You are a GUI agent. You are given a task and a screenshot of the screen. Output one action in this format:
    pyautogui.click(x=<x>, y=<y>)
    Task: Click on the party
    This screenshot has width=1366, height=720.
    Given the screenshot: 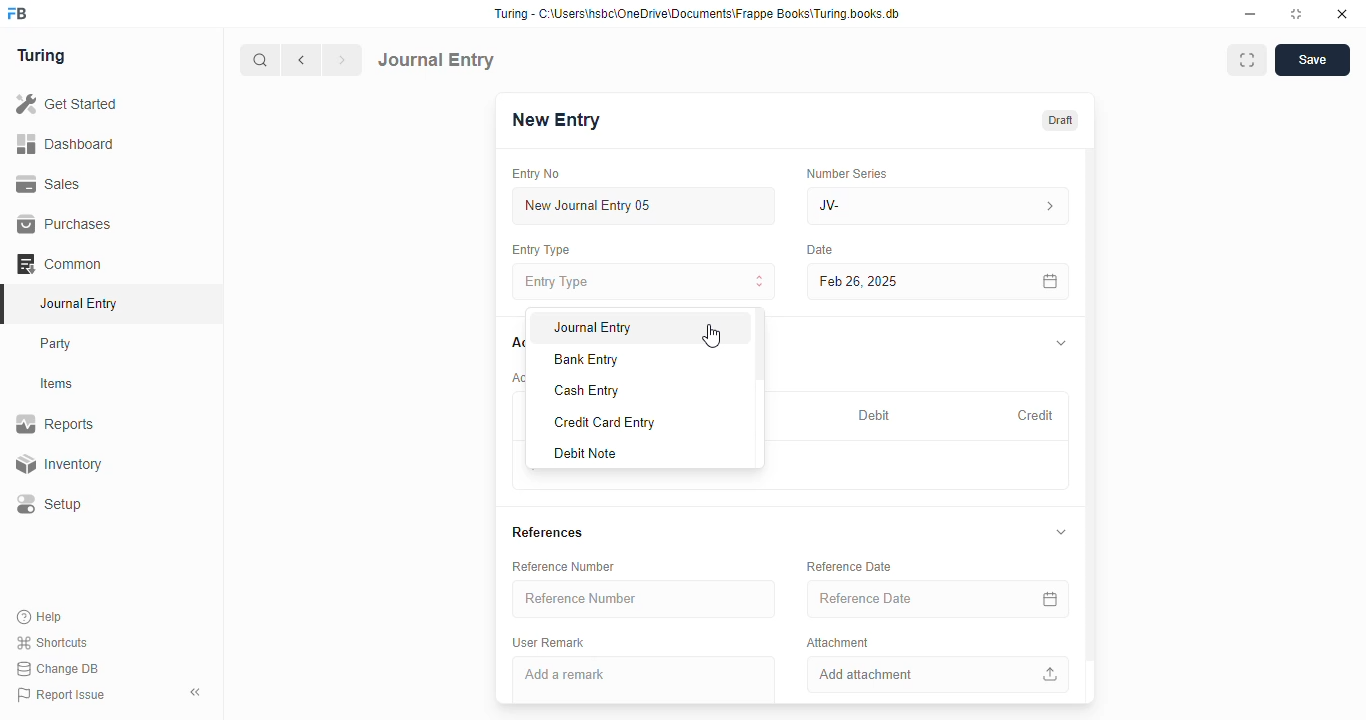 What is the action you would take?
    pyautogui.click(x=58, y=344)
    